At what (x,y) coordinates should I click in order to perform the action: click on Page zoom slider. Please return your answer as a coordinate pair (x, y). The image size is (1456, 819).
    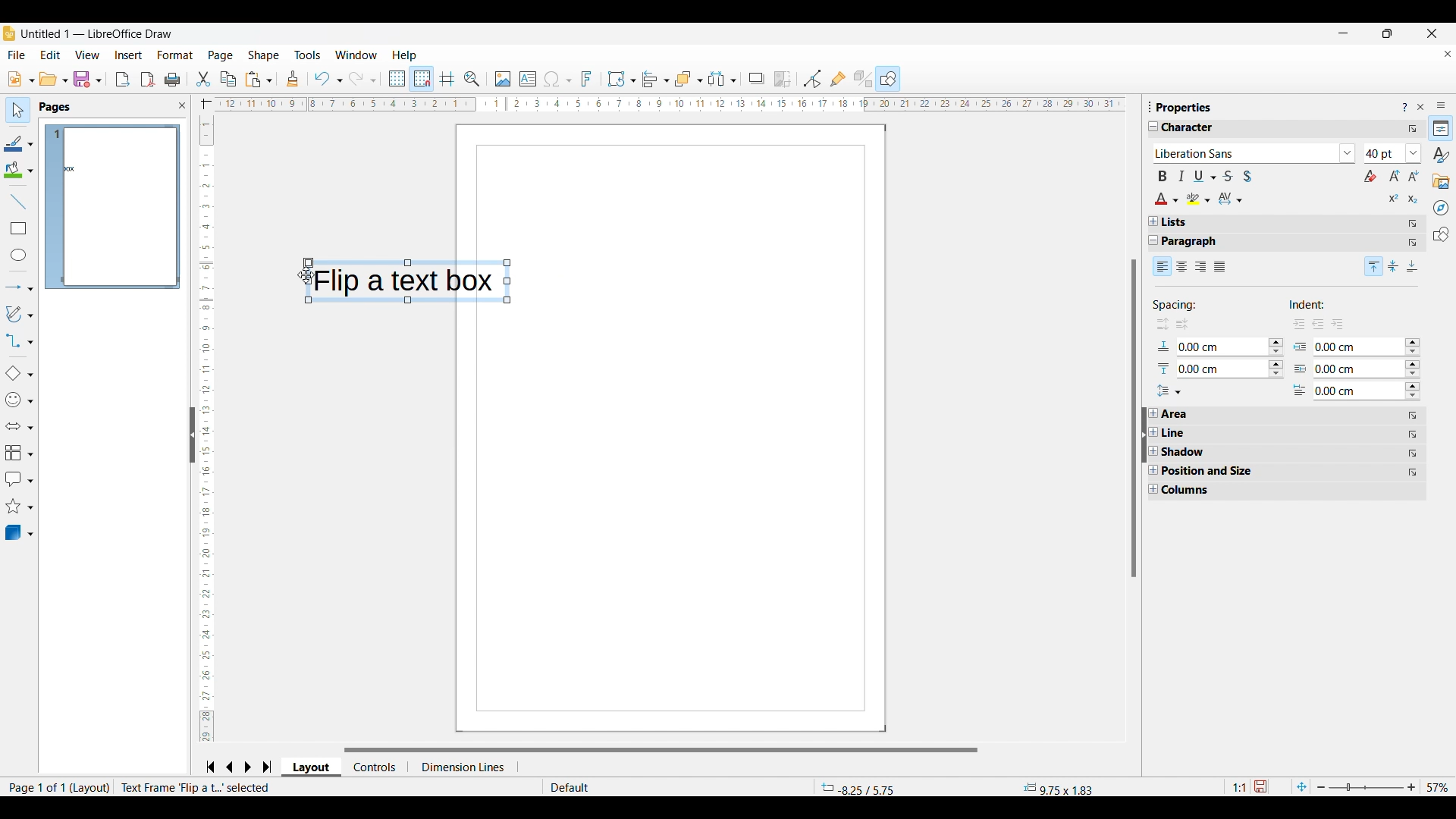
    Looking at the image, I should click on (1367, 787).